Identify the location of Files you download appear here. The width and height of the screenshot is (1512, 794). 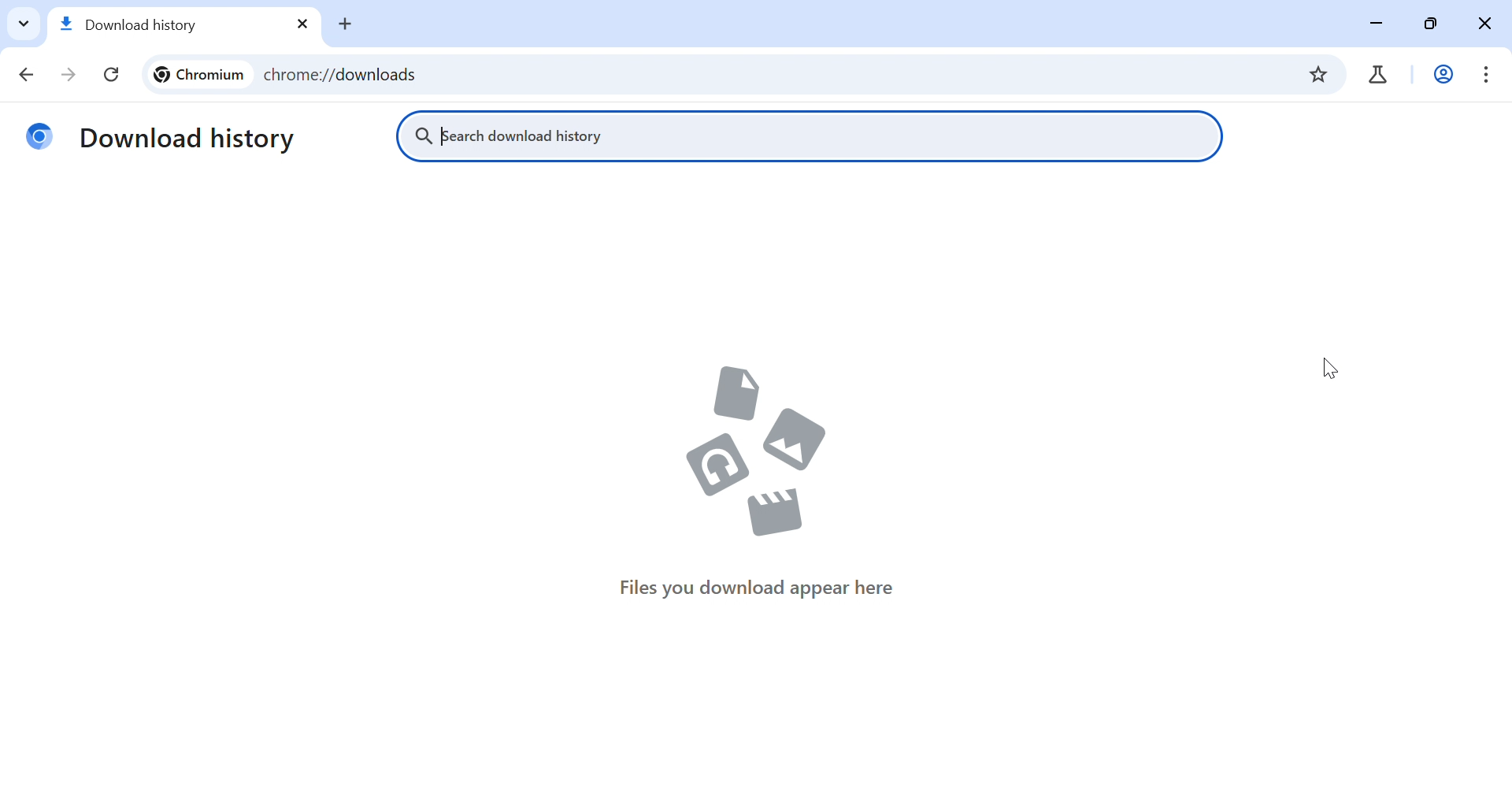
(759, 590).